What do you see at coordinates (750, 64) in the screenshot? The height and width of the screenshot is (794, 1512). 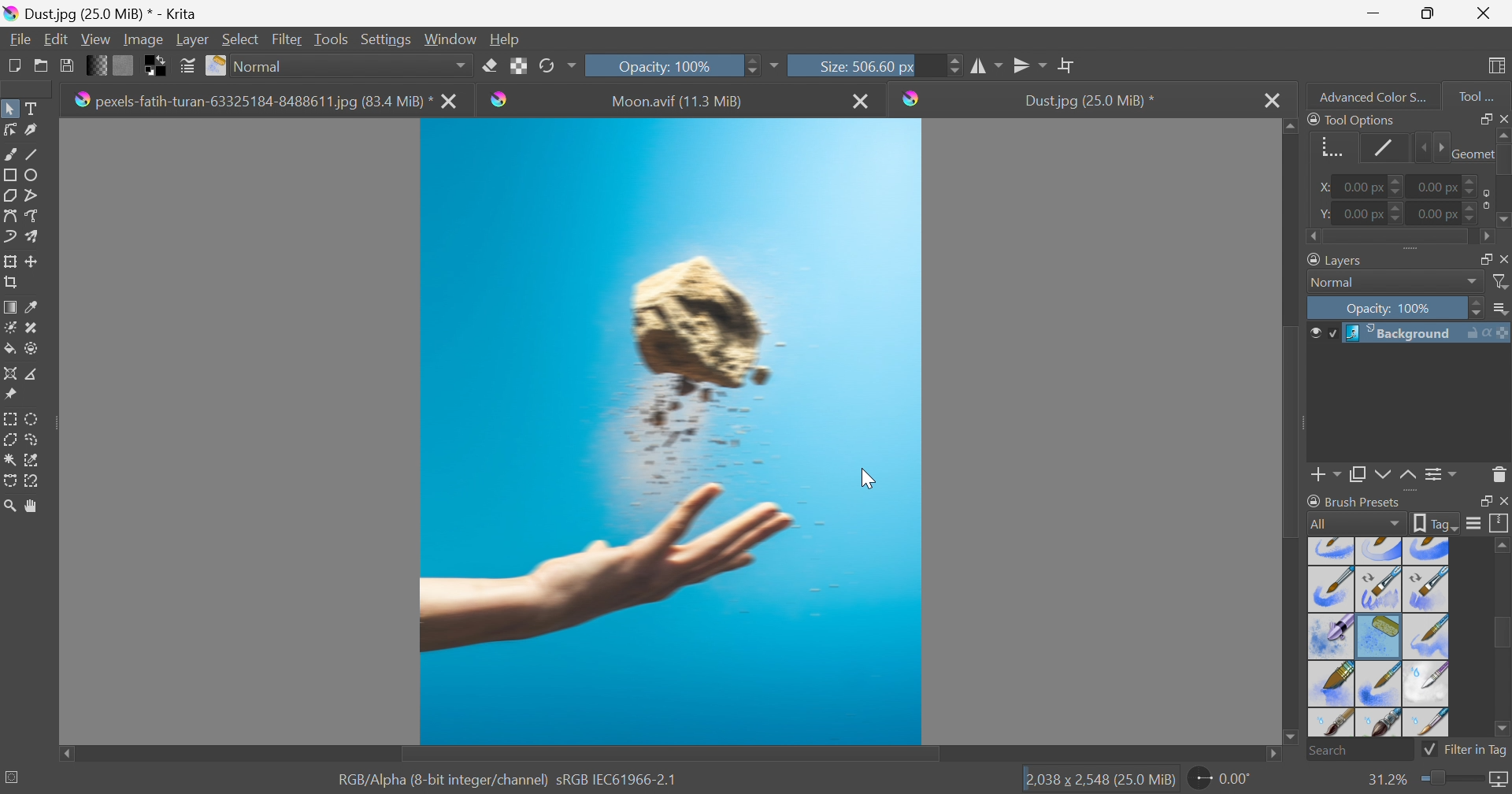 I see `Slider` at bounding box center [750, 64].